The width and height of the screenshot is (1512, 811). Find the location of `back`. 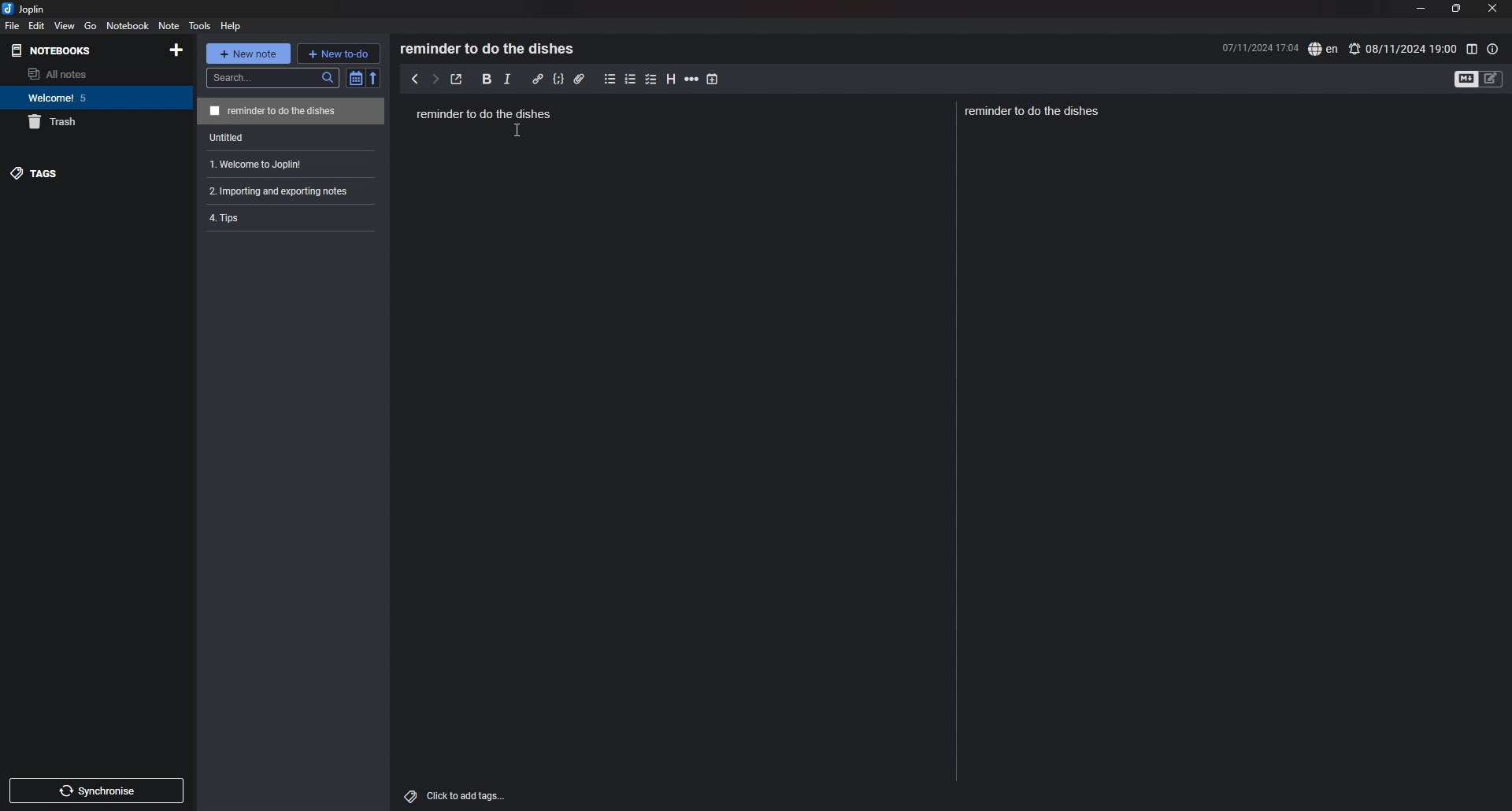

back is located at coordinates (415, 79).